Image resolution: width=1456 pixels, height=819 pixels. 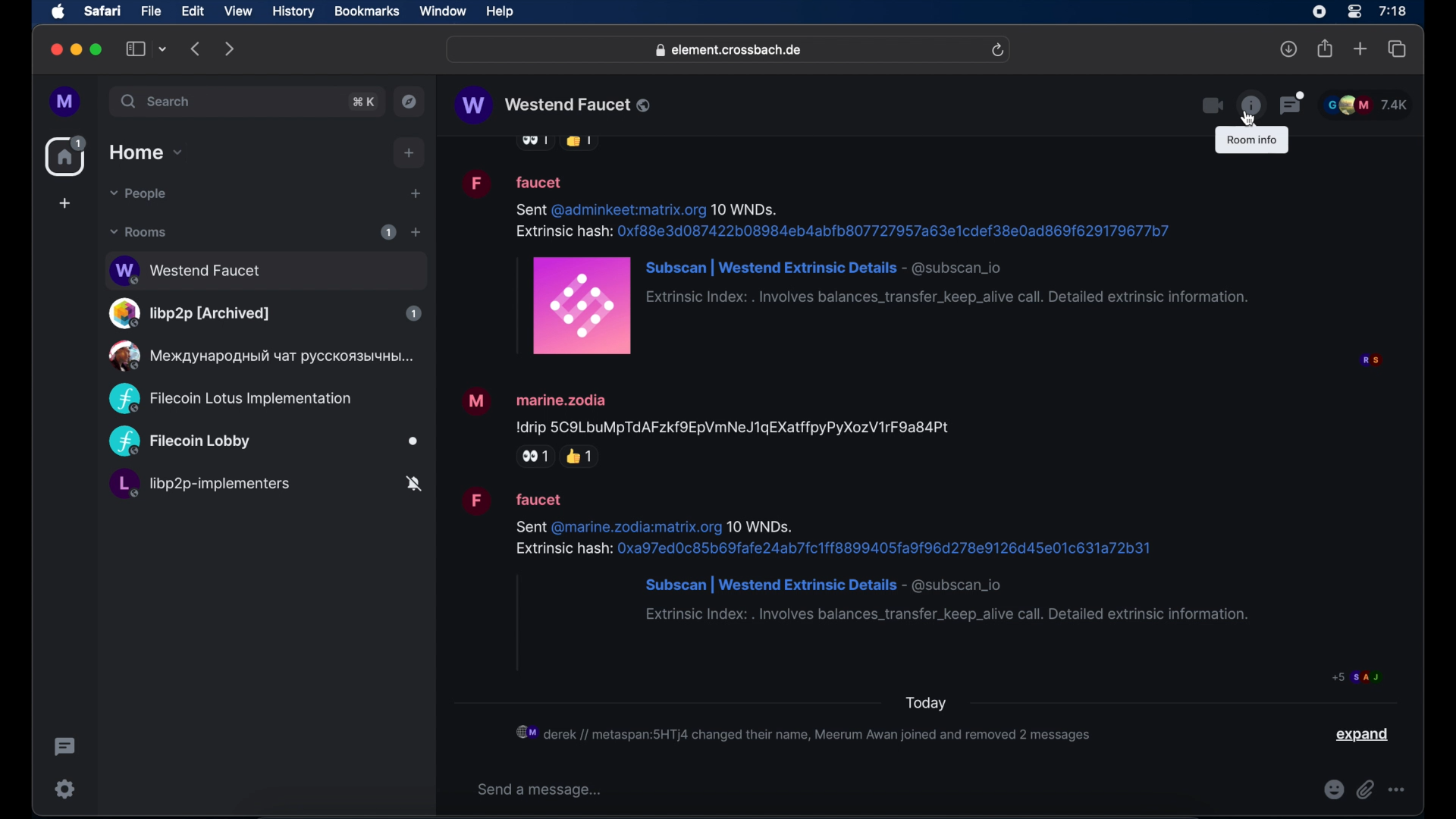 I want to click on add, so click(x=409, y=153).